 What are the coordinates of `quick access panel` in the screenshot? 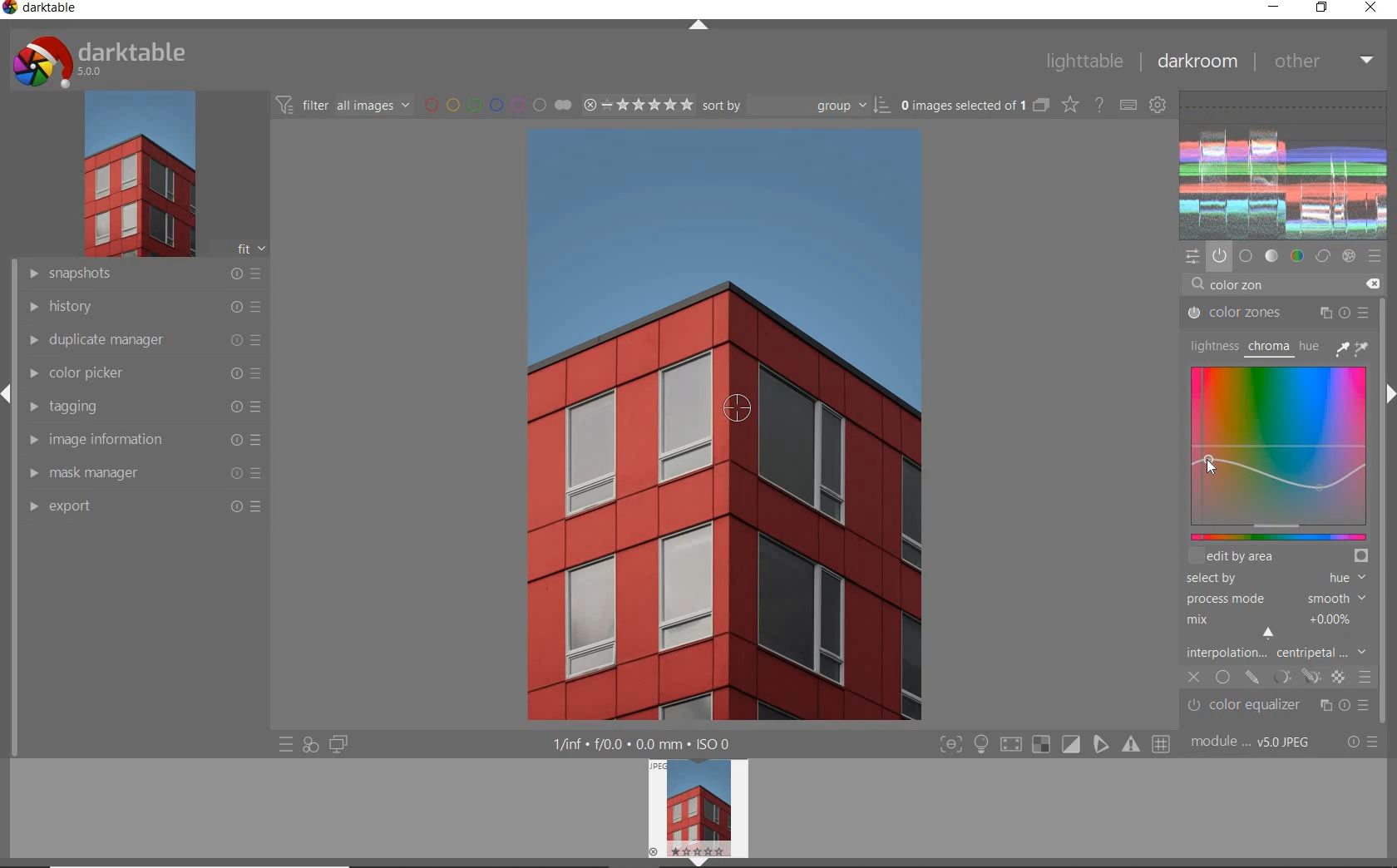 It's located at (1193, 257).